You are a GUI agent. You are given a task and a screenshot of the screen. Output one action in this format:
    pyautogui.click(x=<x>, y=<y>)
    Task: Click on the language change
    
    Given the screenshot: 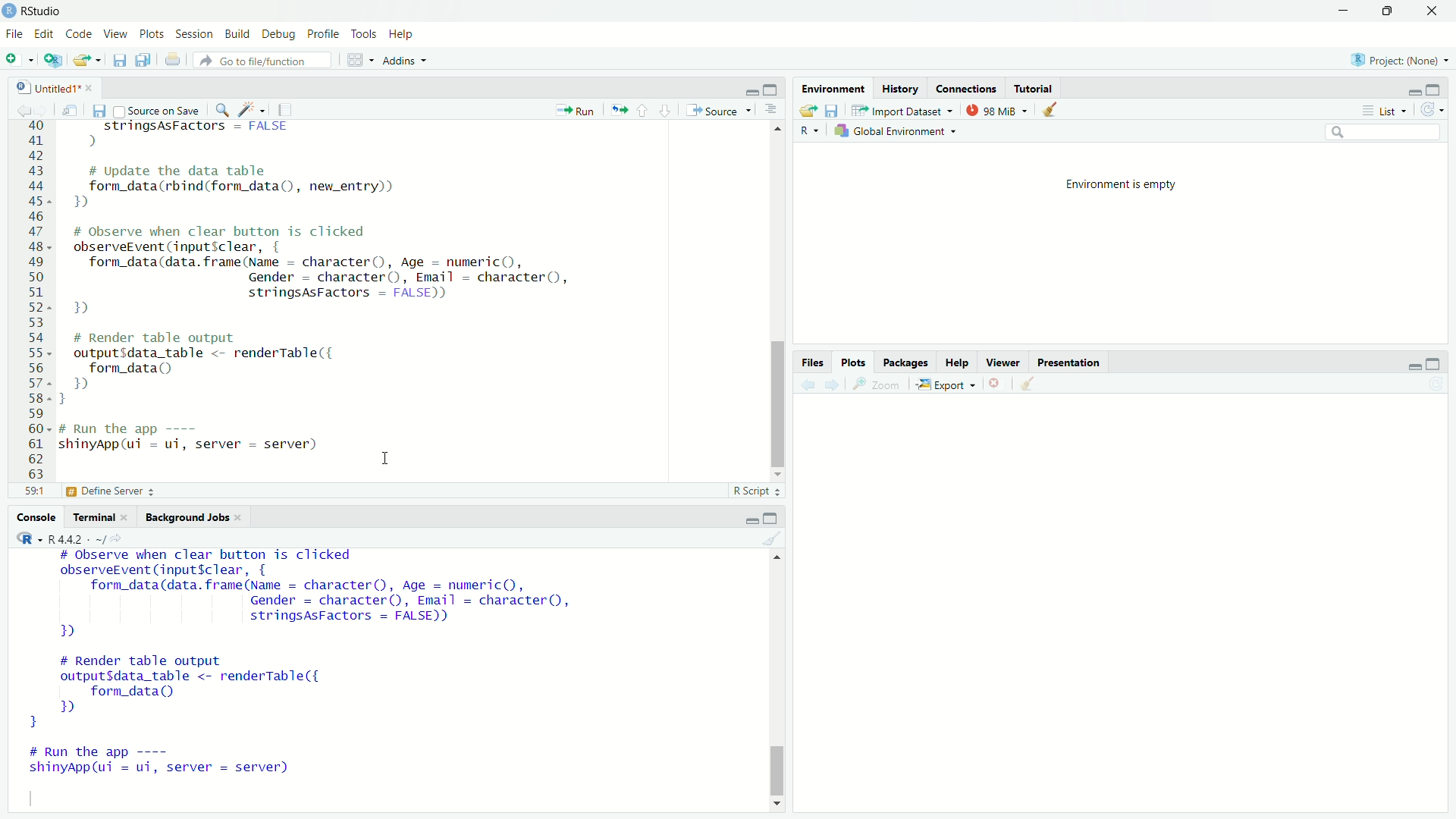 What is the action you would take?
    pyautogui.click(x=23, y=538)
    